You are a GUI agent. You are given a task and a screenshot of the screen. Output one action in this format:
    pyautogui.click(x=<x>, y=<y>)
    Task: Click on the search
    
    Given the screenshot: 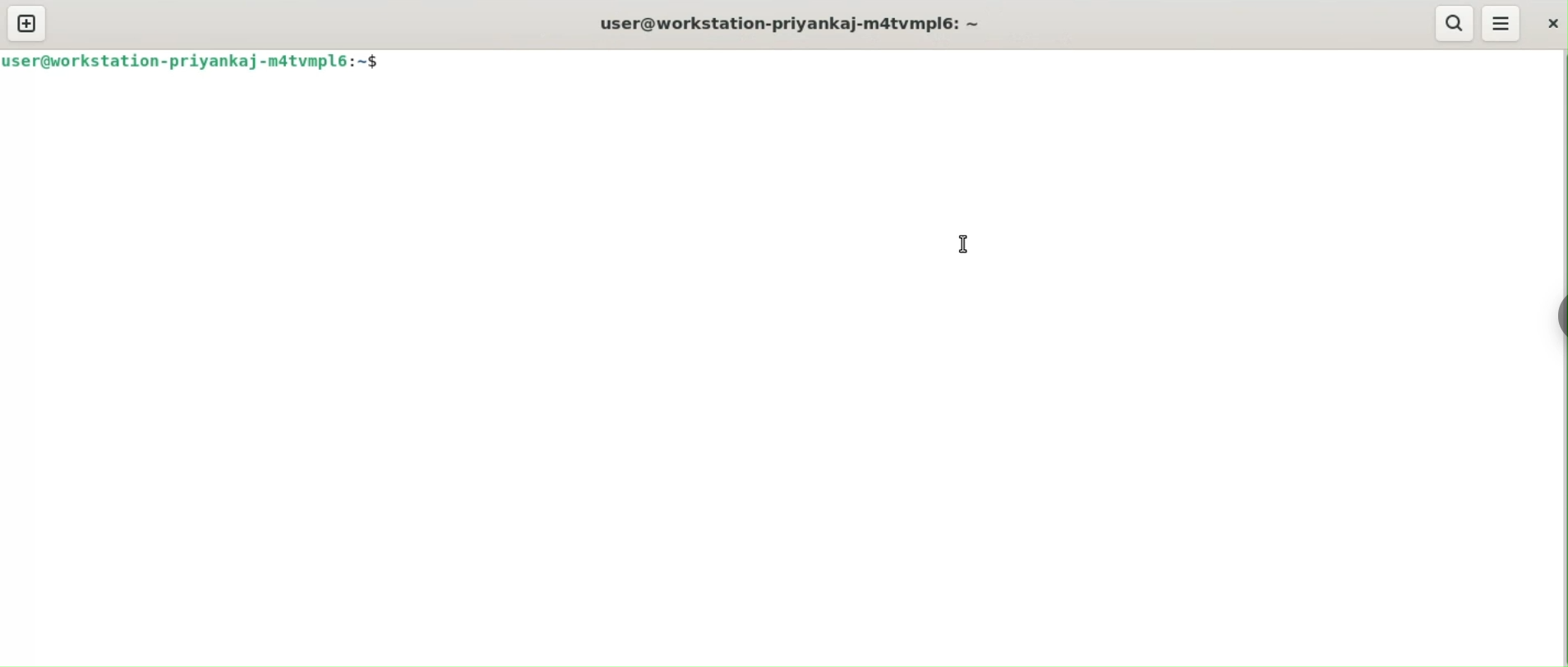 What is the action you would take?
    pyautogui.click(x=1453, y=23)
    